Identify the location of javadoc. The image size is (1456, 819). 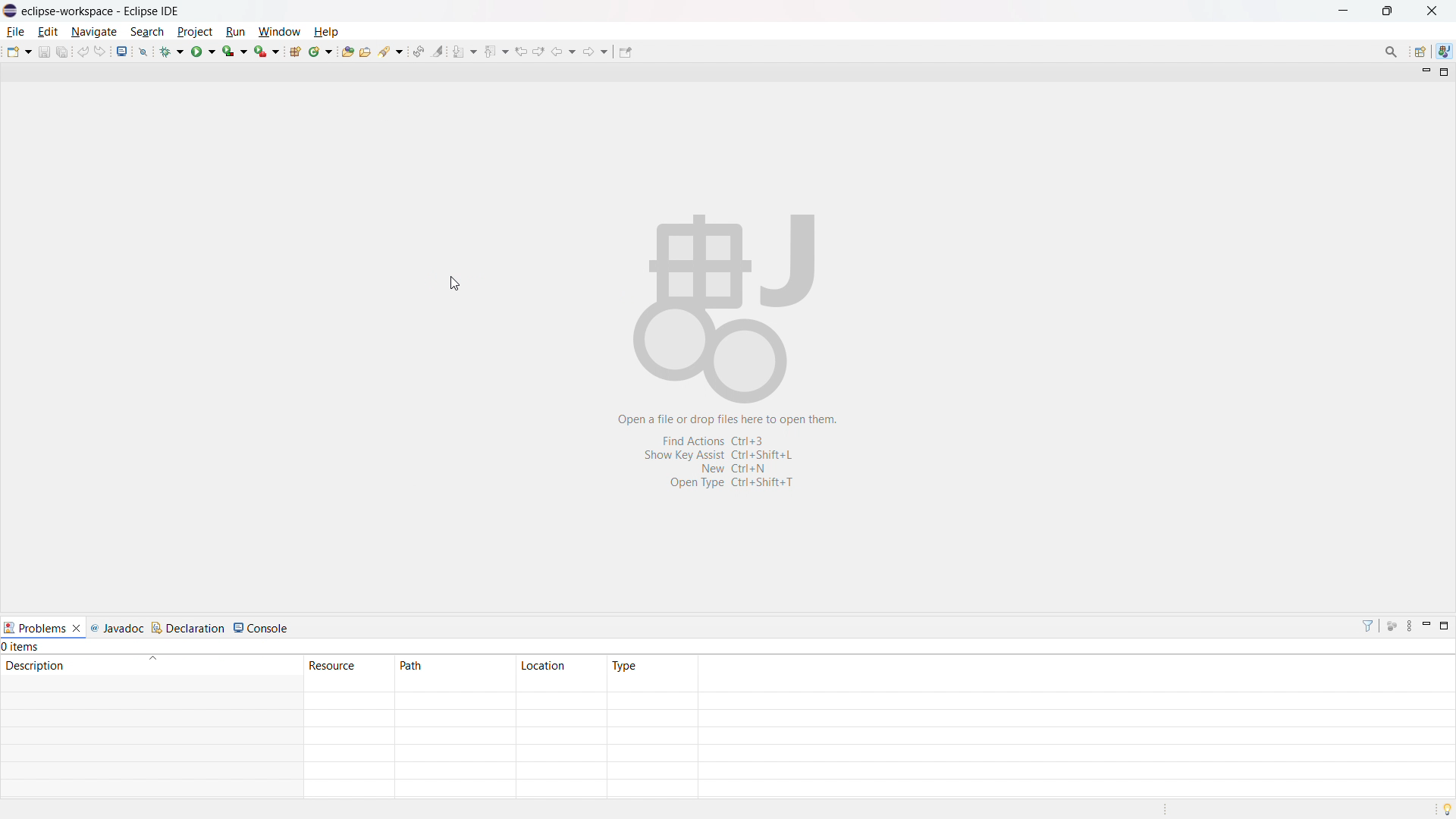
(120, 629).